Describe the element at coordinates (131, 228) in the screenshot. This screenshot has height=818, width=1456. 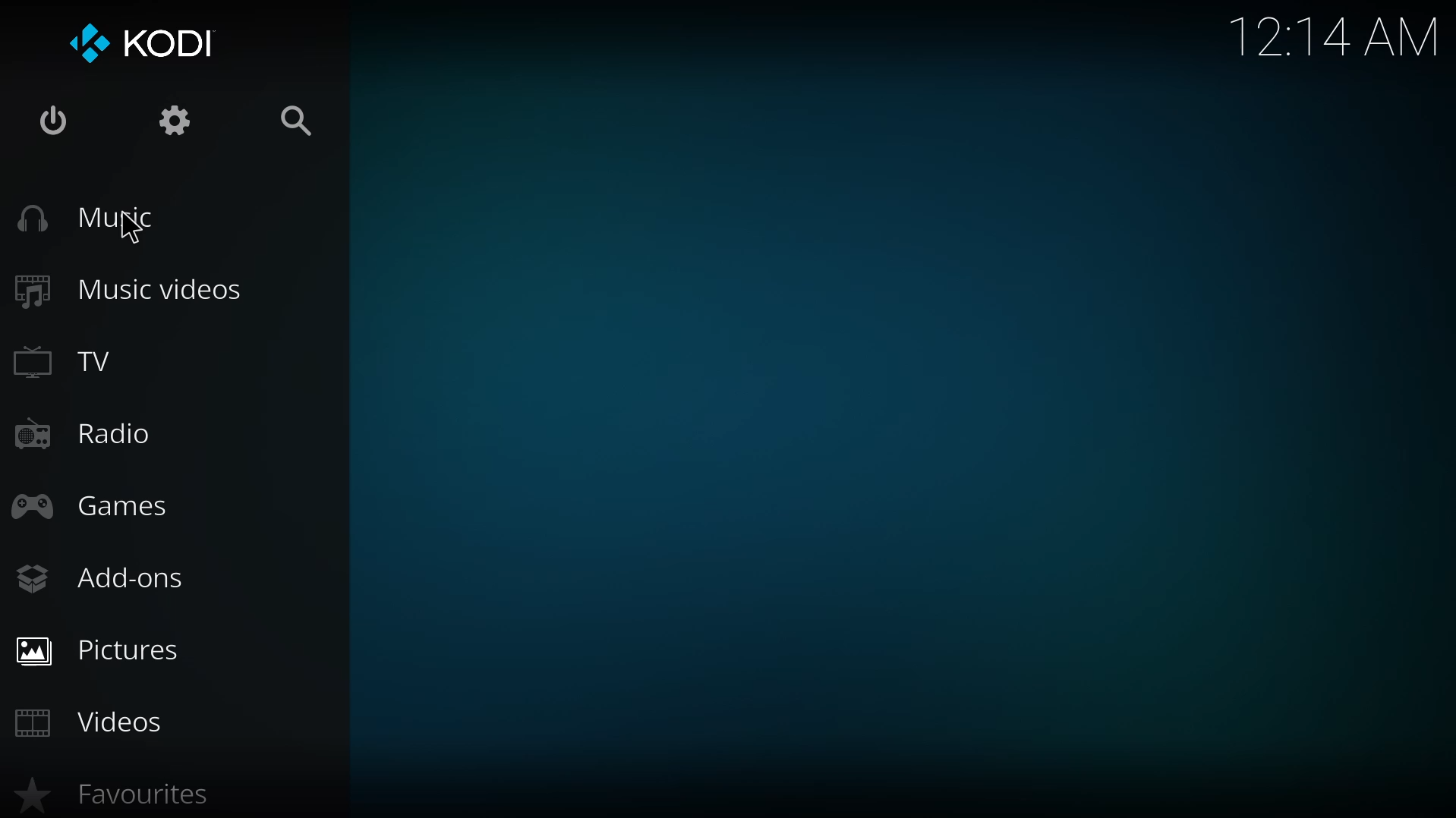
I see `cursor` at that location.